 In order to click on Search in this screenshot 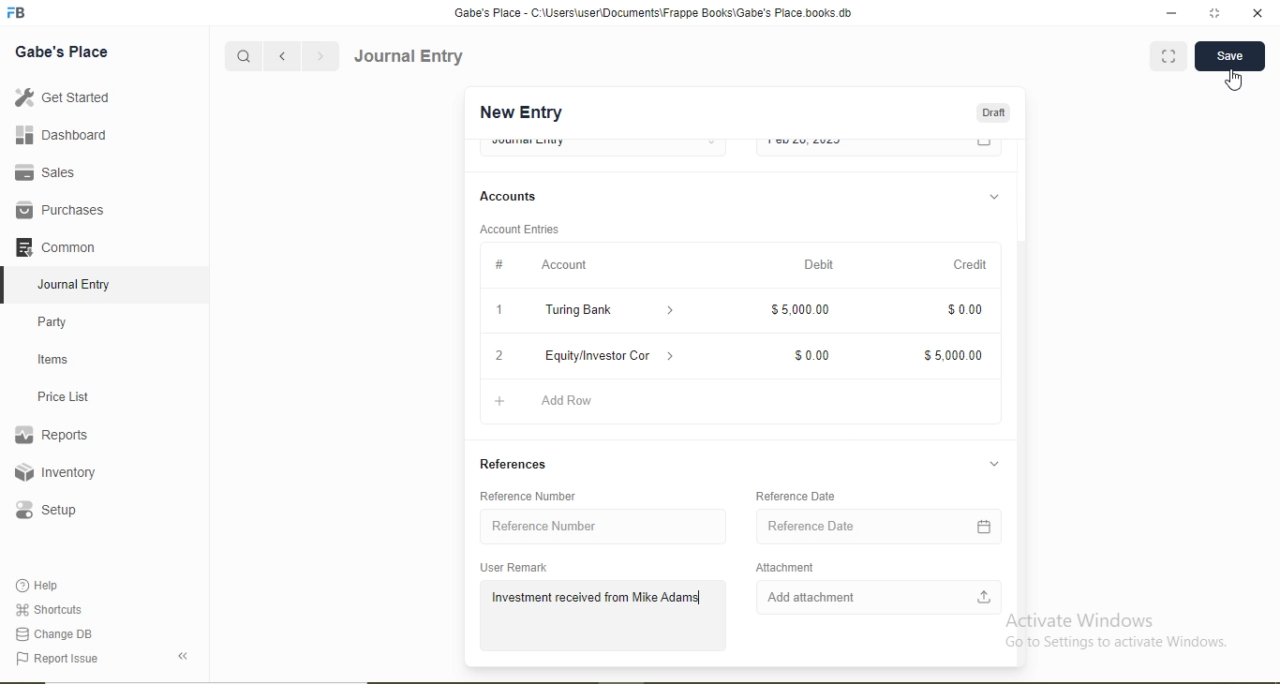, I will do `click(242, 57)`.